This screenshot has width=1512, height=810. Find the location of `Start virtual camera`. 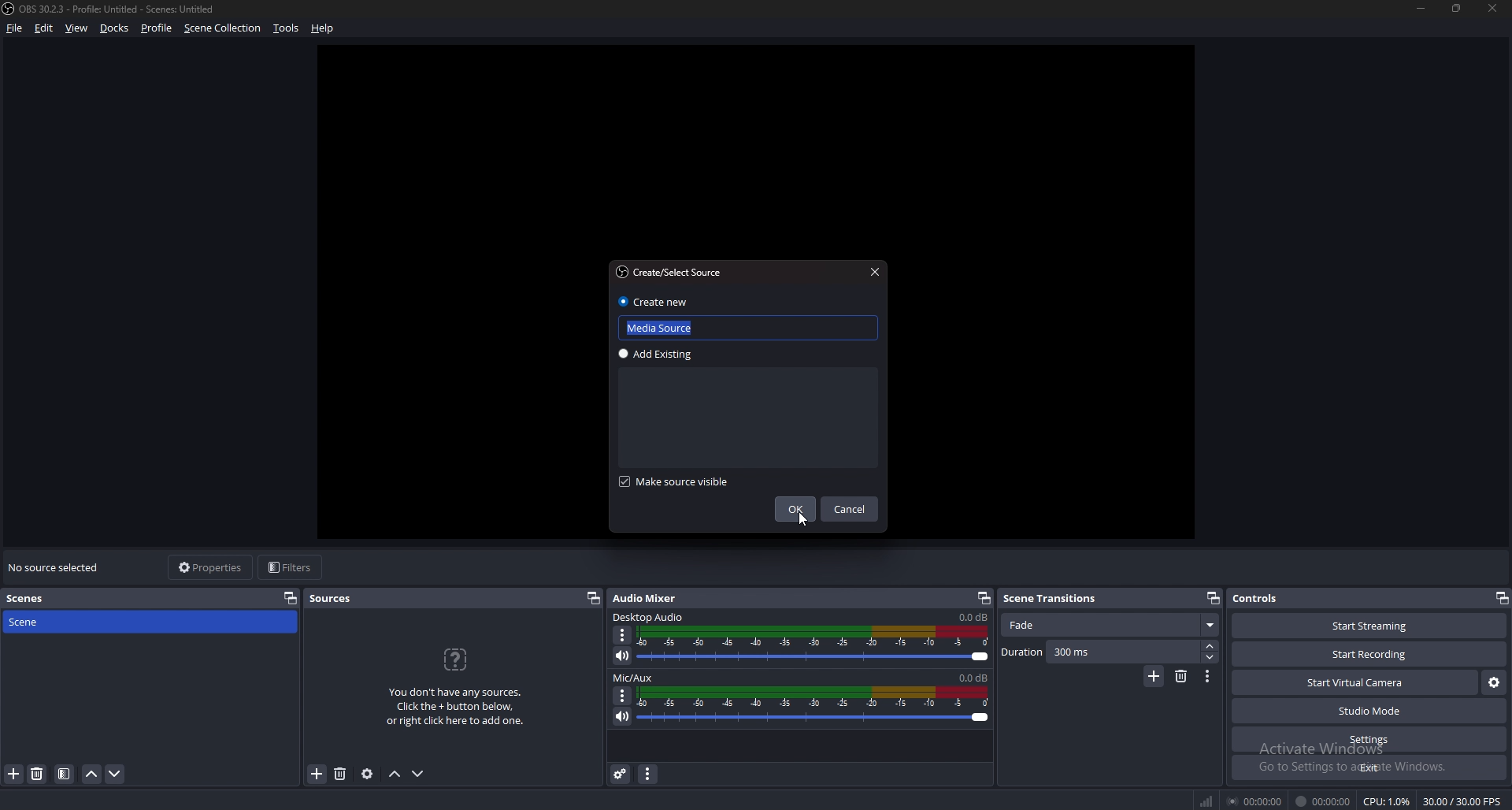

Start virtual camera is located at coordinates (1354, 682).